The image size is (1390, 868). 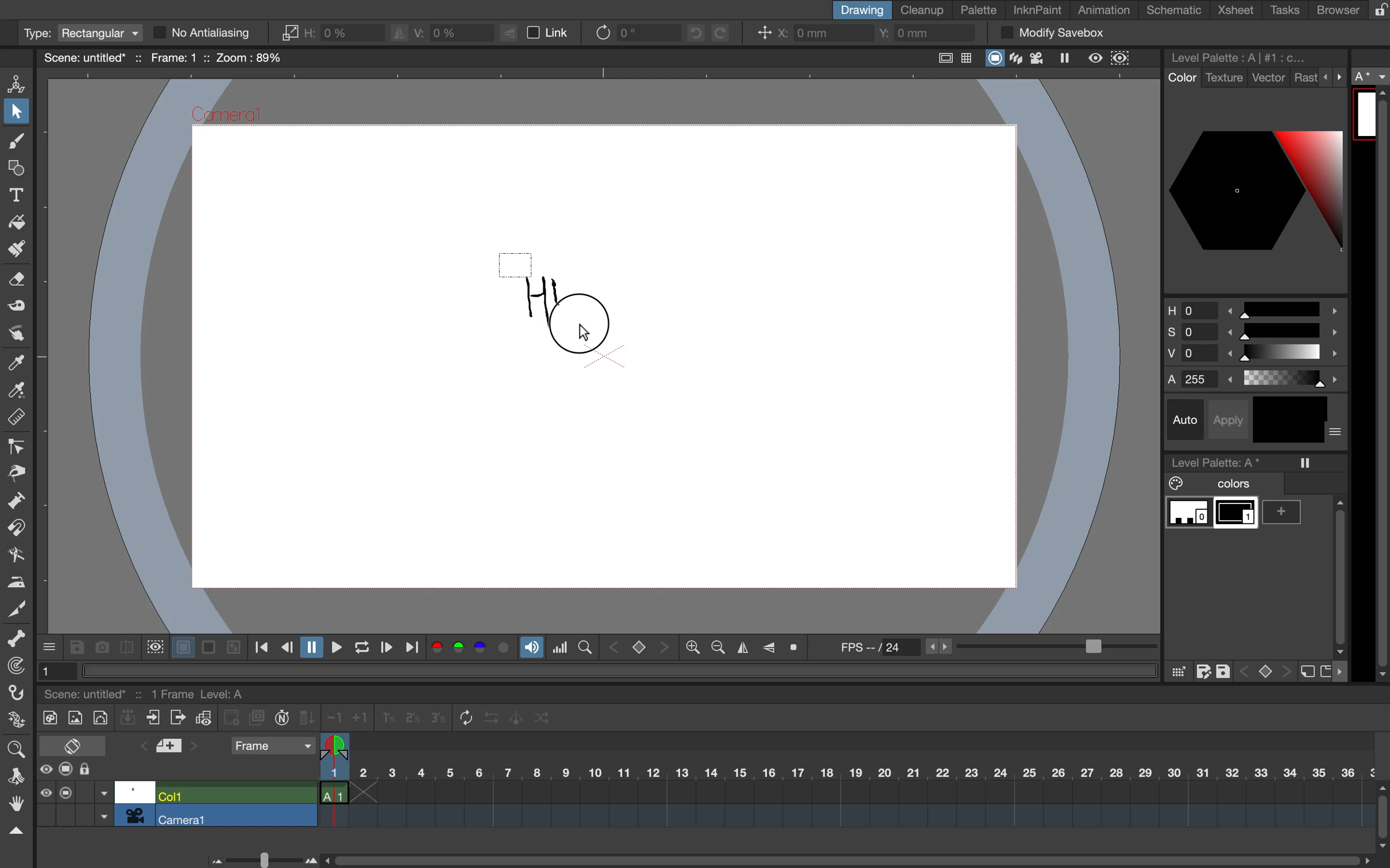 I want to click on tracker tool, so click(x=13, y=668).